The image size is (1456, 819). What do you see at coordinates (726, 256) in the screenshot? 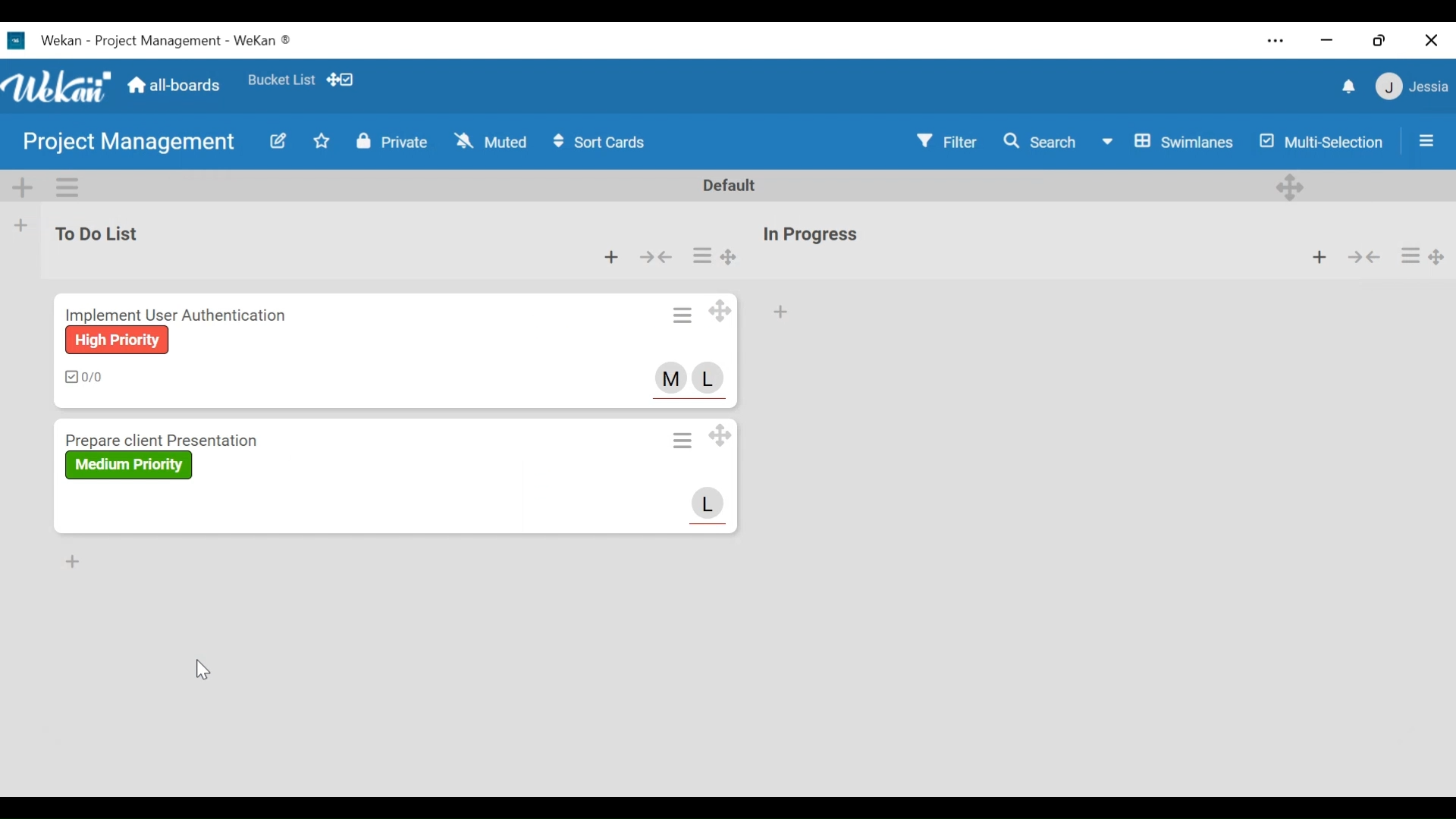
I see `Desktop drag handle` at bounding box center [726, 256].